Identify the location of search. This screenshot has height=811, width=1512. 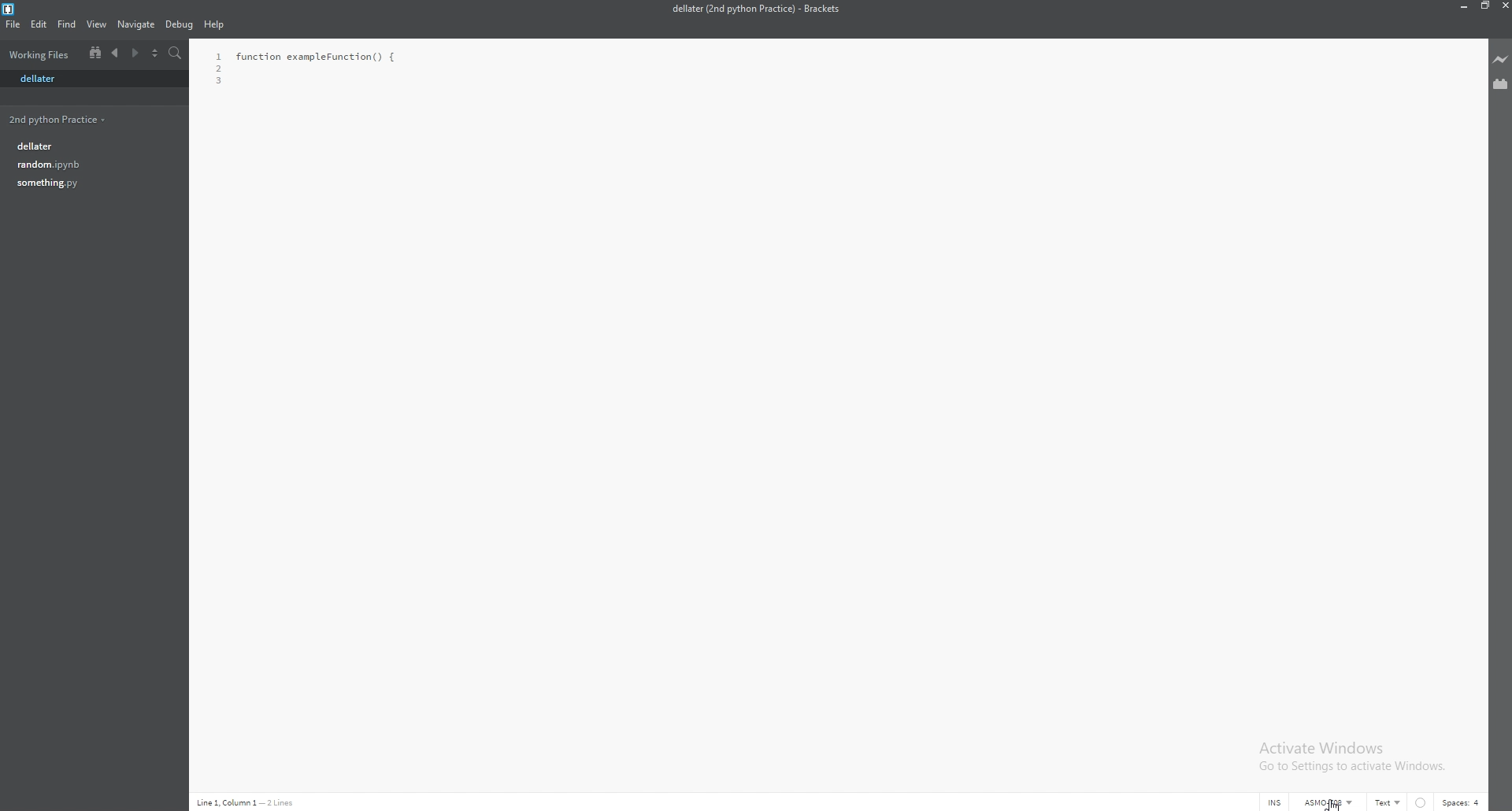
(176, 54).